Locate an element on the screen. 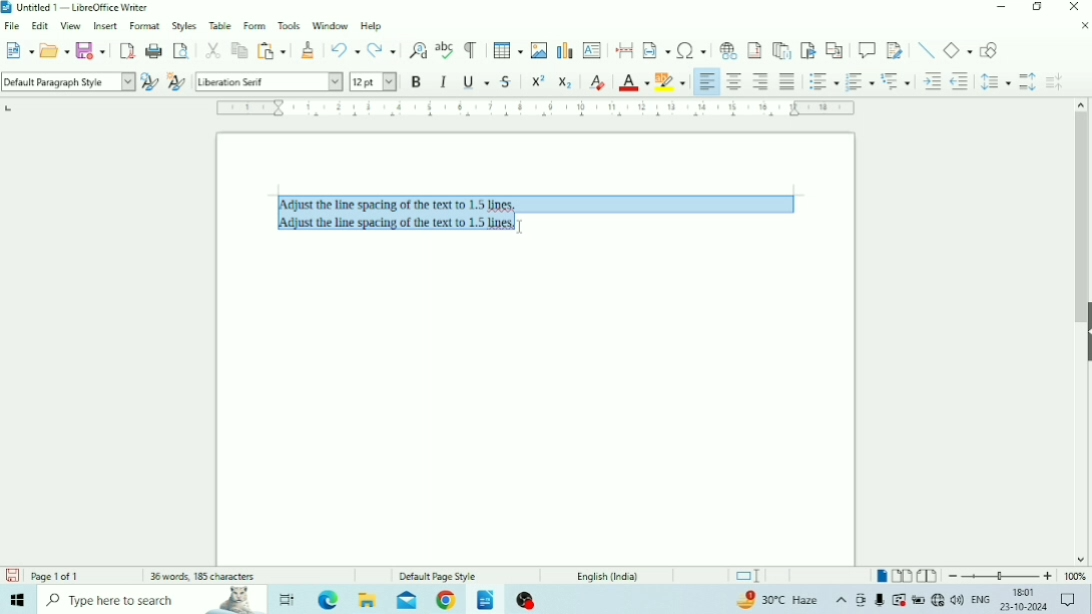 The image size is (1092, 614). Subscript is located at coordinates (566, 82).